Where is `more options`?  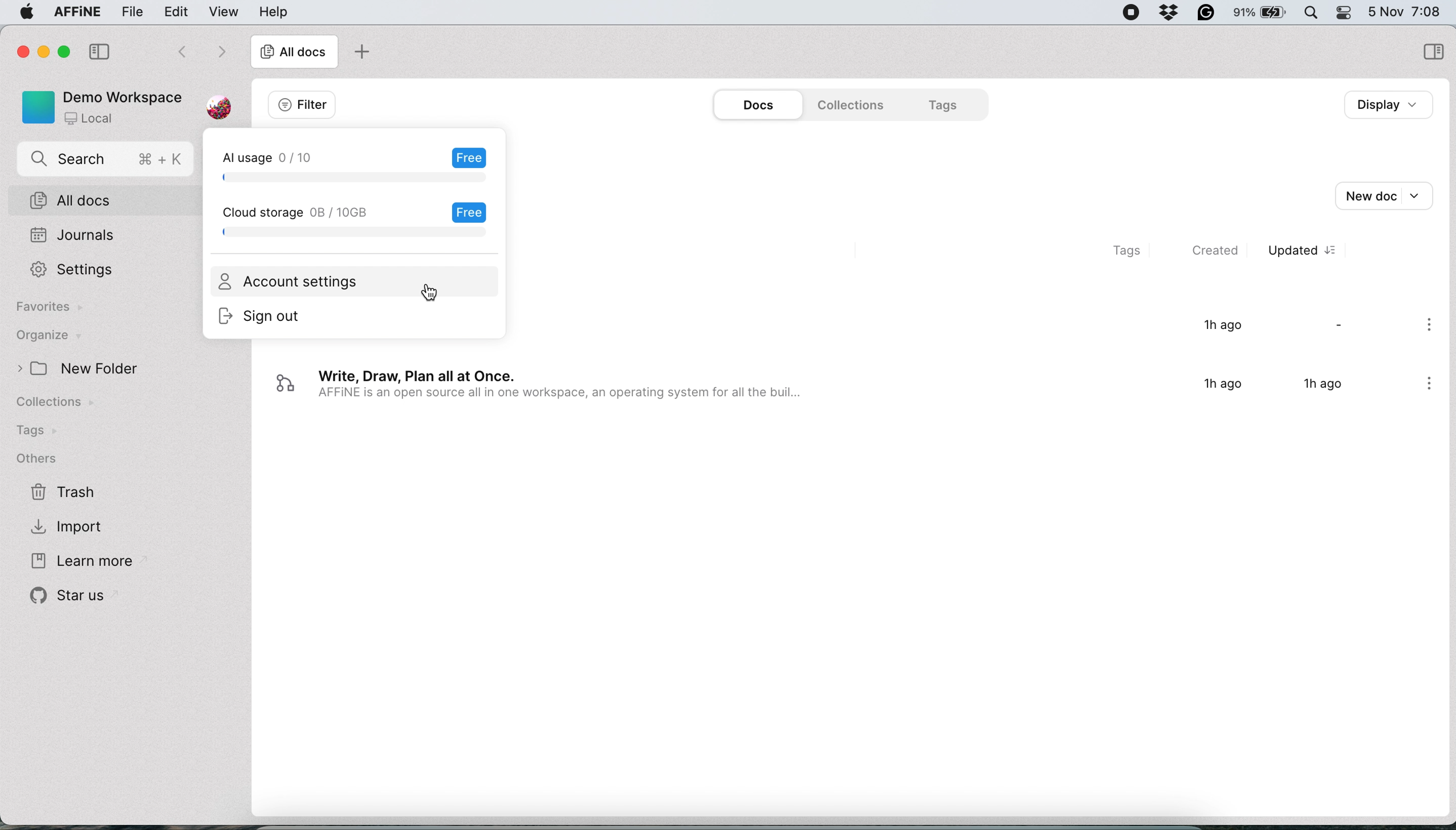 more options is located at coordinates (1424, 386).